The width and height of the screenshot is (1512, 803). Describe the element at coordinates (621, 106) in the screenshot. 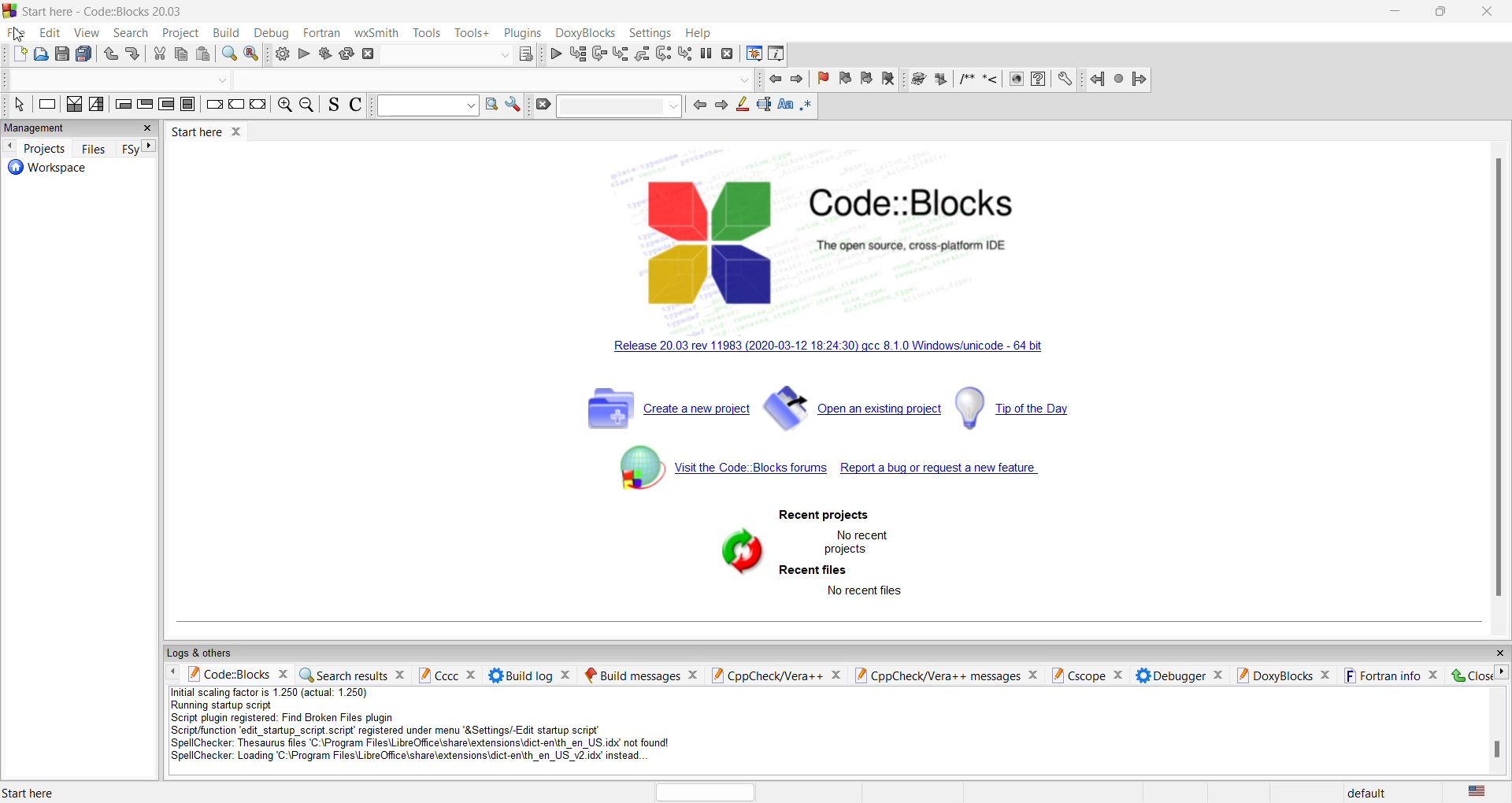

I see `dropdown` at that location.